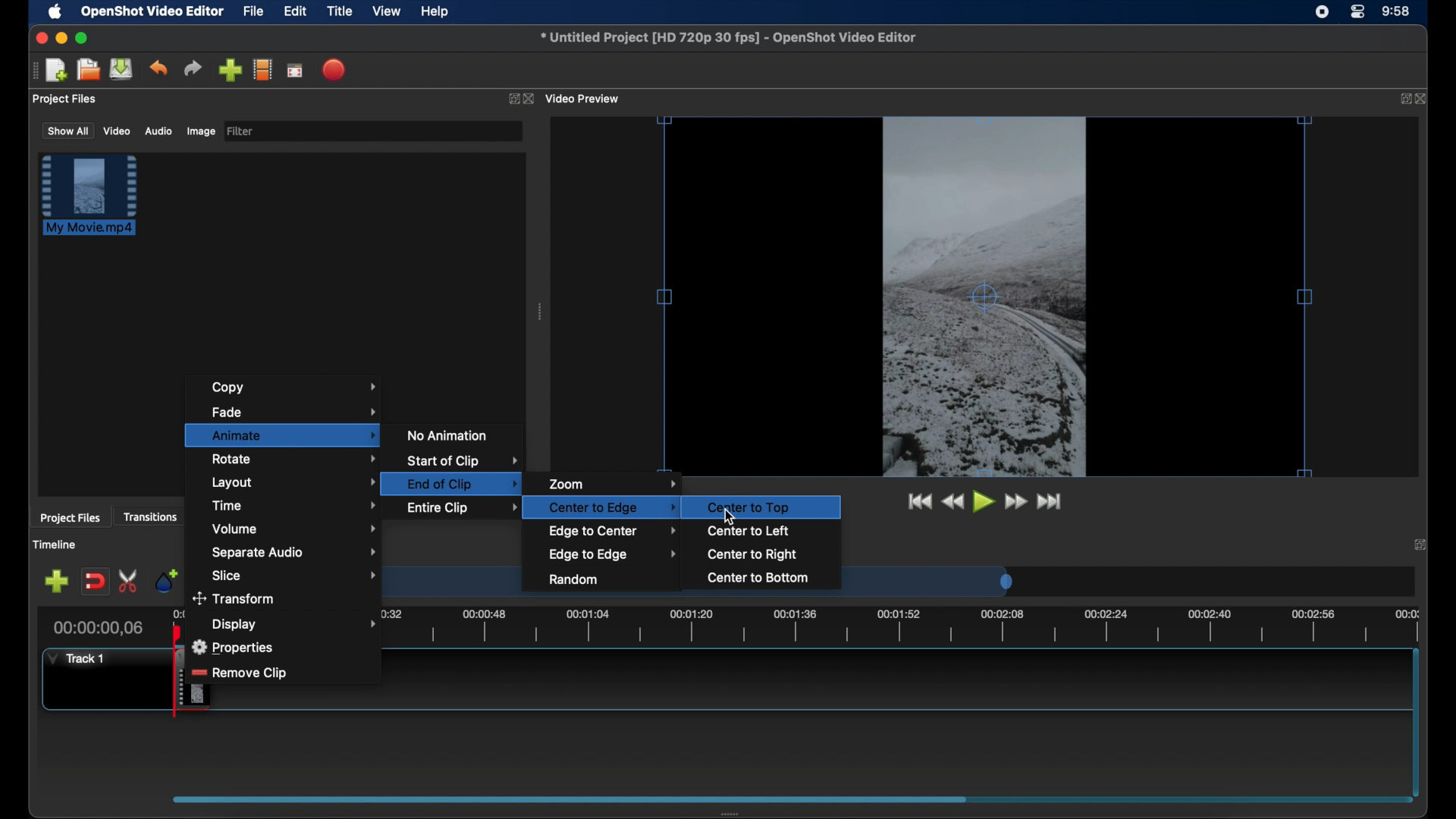 The width and height of the screenshot is (1456, 819). What do you see at coordinates (725, 515) in the screenshot?
I see `cursor` at bounding box center [725, 515].